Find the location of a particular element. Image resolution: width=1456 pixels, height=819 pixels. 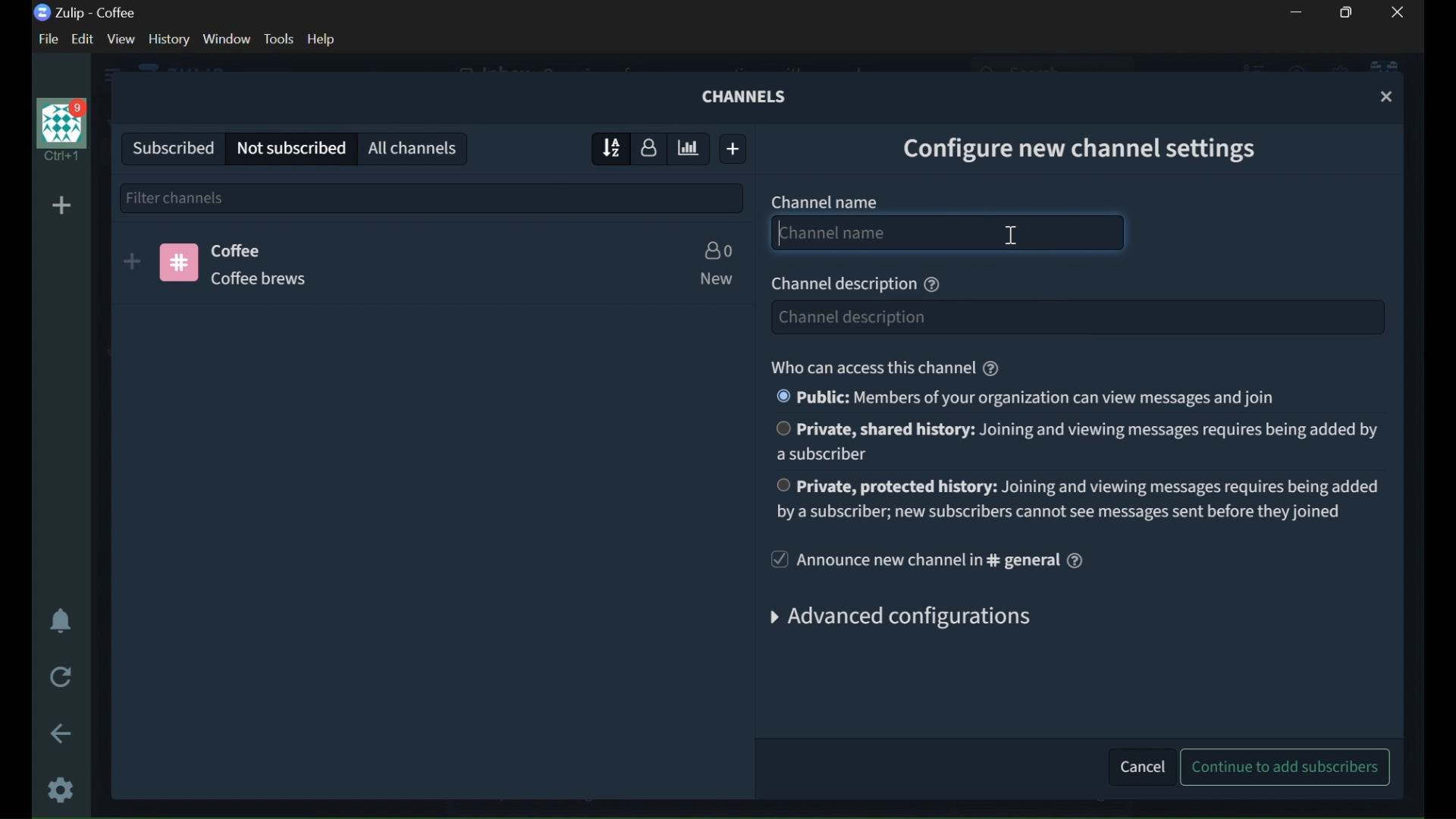

ANNOUNCE NEW CHANNEL IN # GENERAL is located at coordinates (912, 560).